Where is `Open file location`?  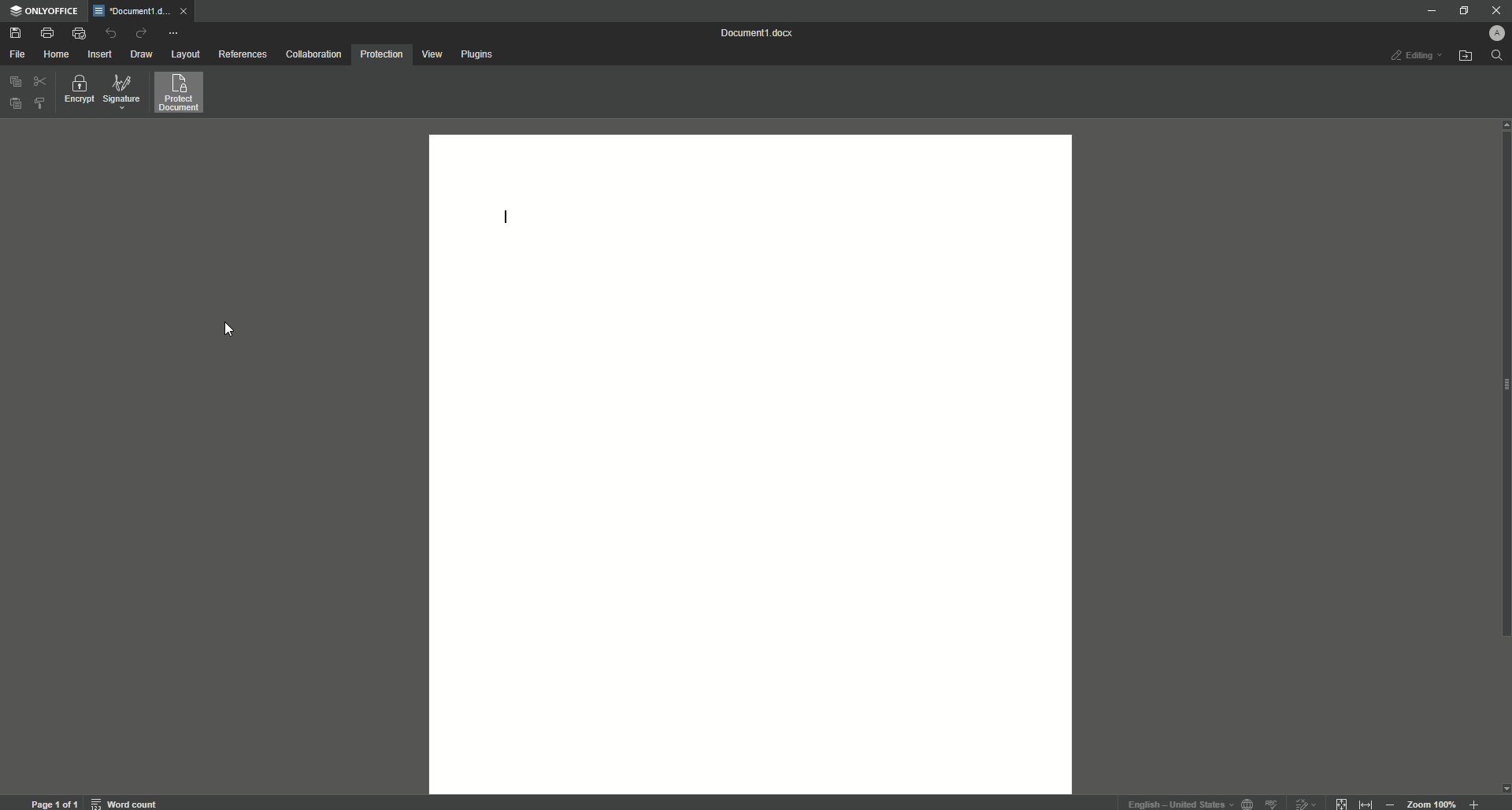
Open file location is located at coordinates (1467, 56).